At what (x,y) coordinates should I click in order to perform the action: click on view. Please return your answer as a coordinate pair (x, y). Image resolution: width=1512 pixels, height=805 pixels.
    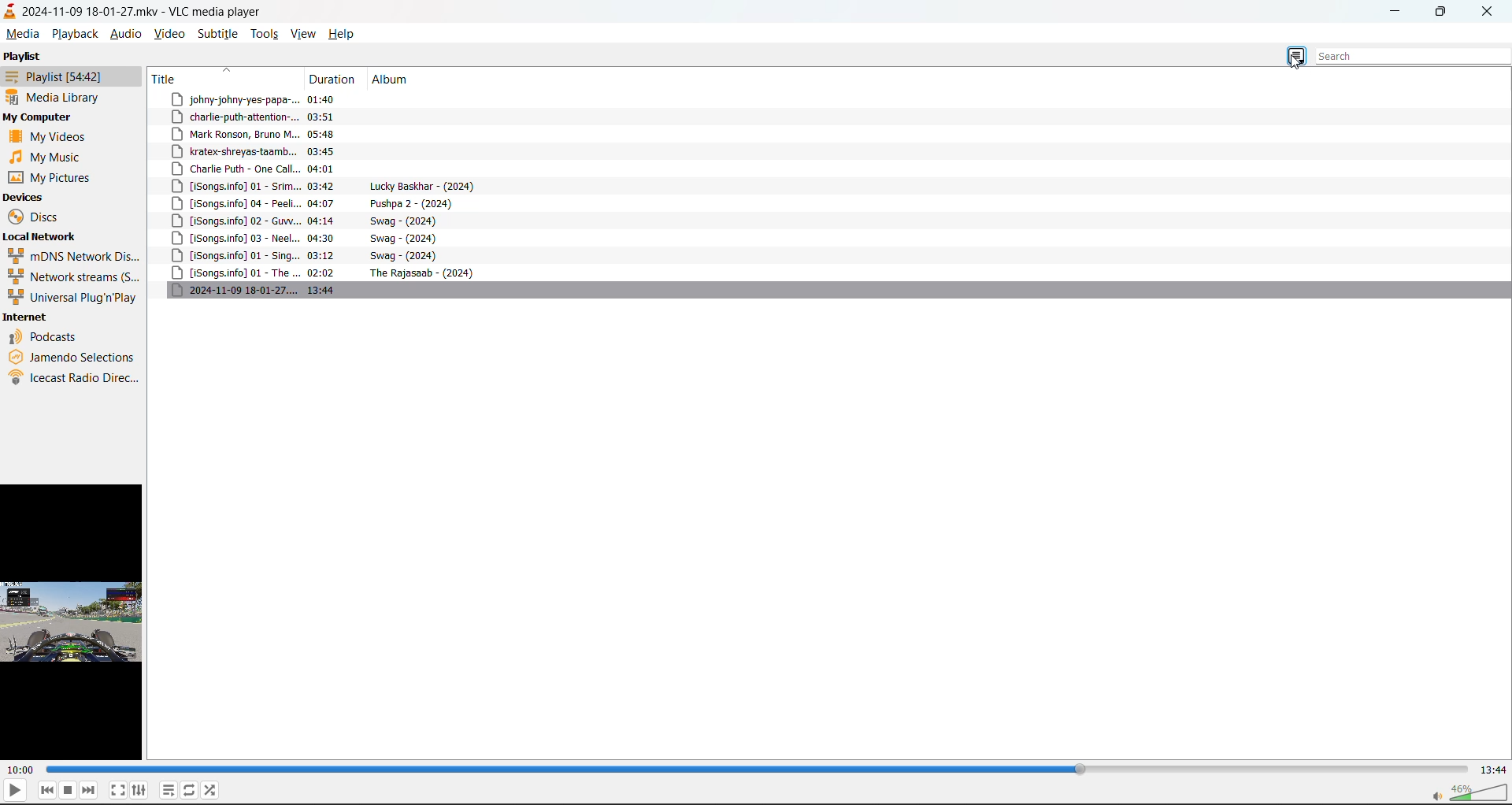
    Looking at the image, I should click on (306, 32).